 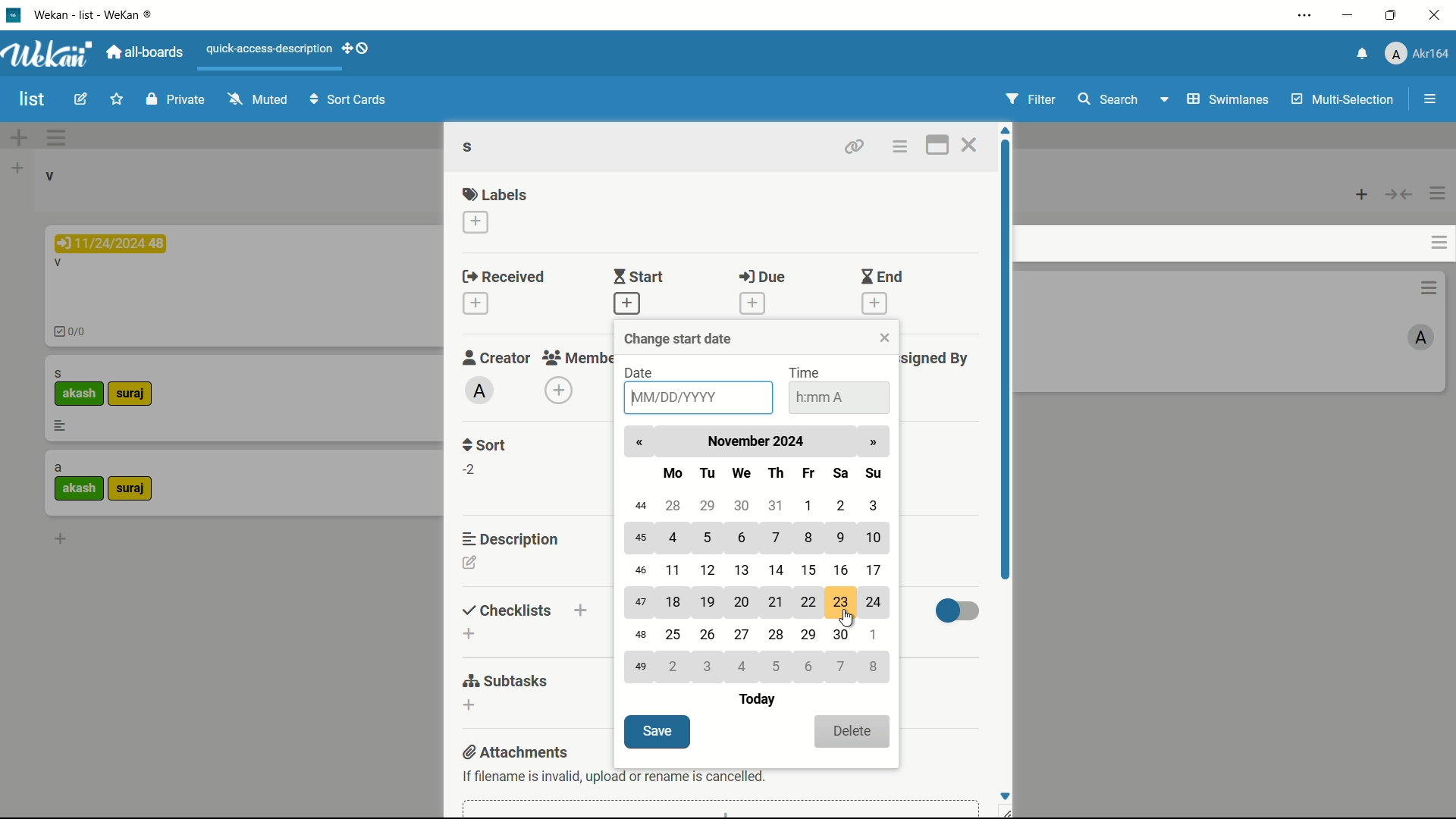 I want to click on card name, so click(x=471, y=149).